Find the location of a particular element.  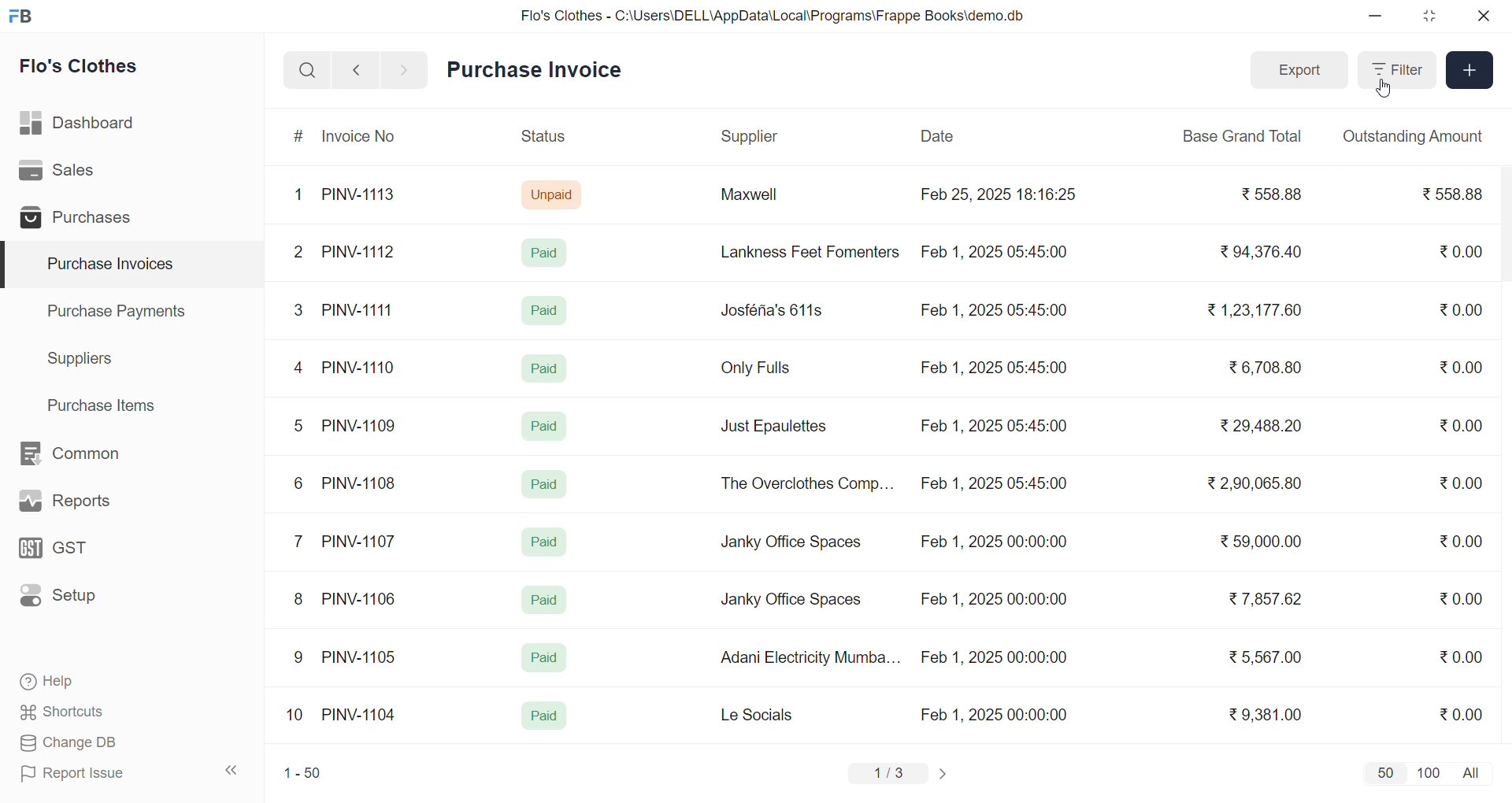

Purchase Payments is located at coordinates (121, 310).